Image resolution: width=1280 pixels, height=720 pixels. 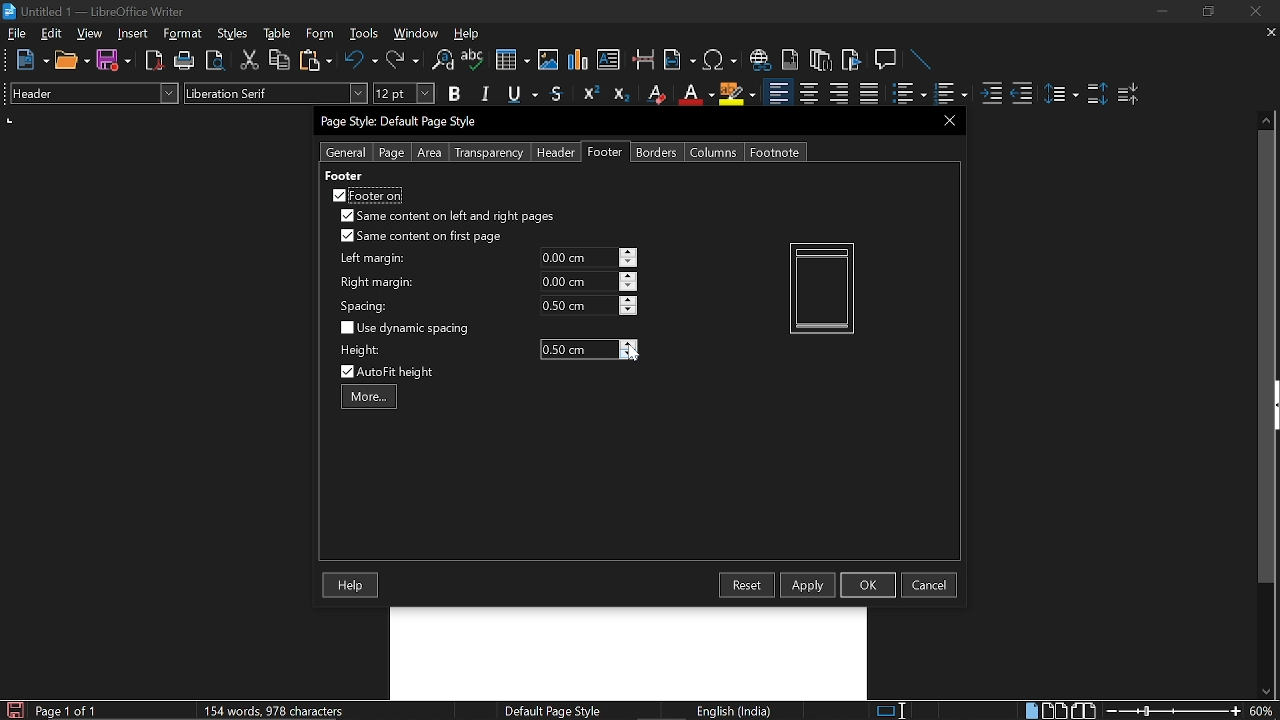 What do you see at coordinates (577, 258) in the screenshot?
I see `line margin Line margin` at bounding box center [577, 258].